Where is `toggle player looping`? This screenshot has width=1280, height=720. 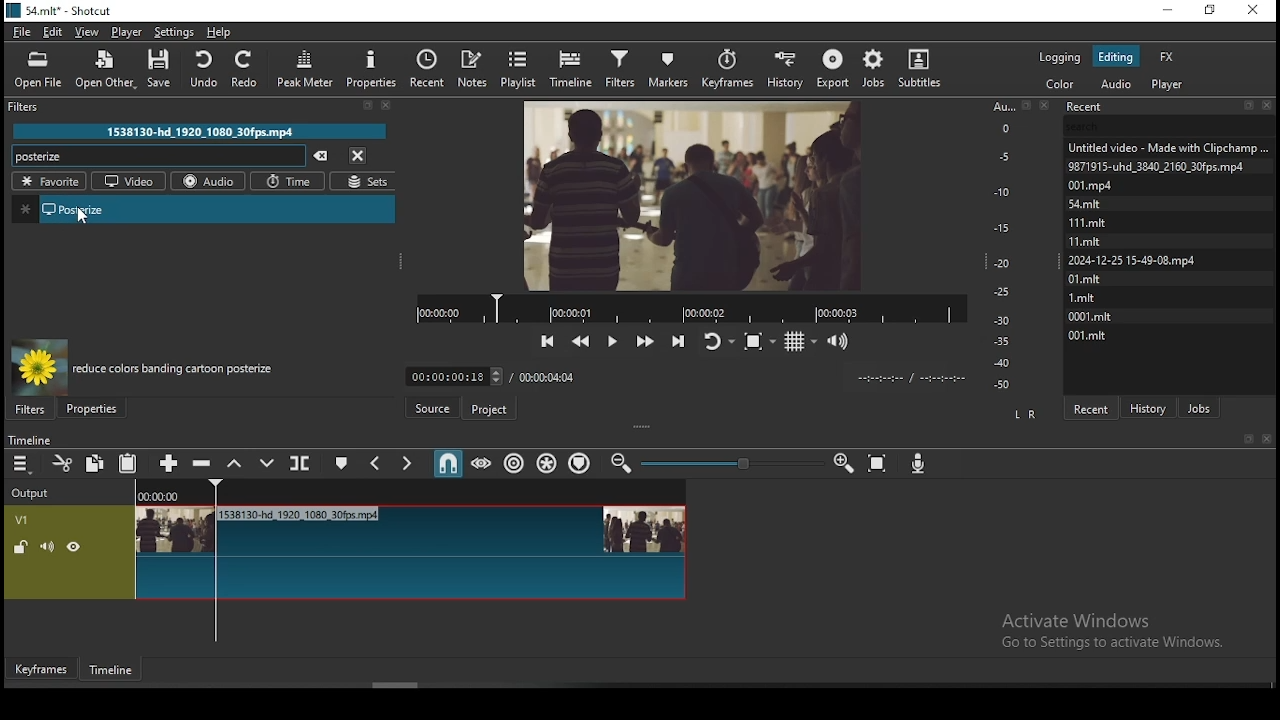 toggle player looping is located at coordinates (717, 339).